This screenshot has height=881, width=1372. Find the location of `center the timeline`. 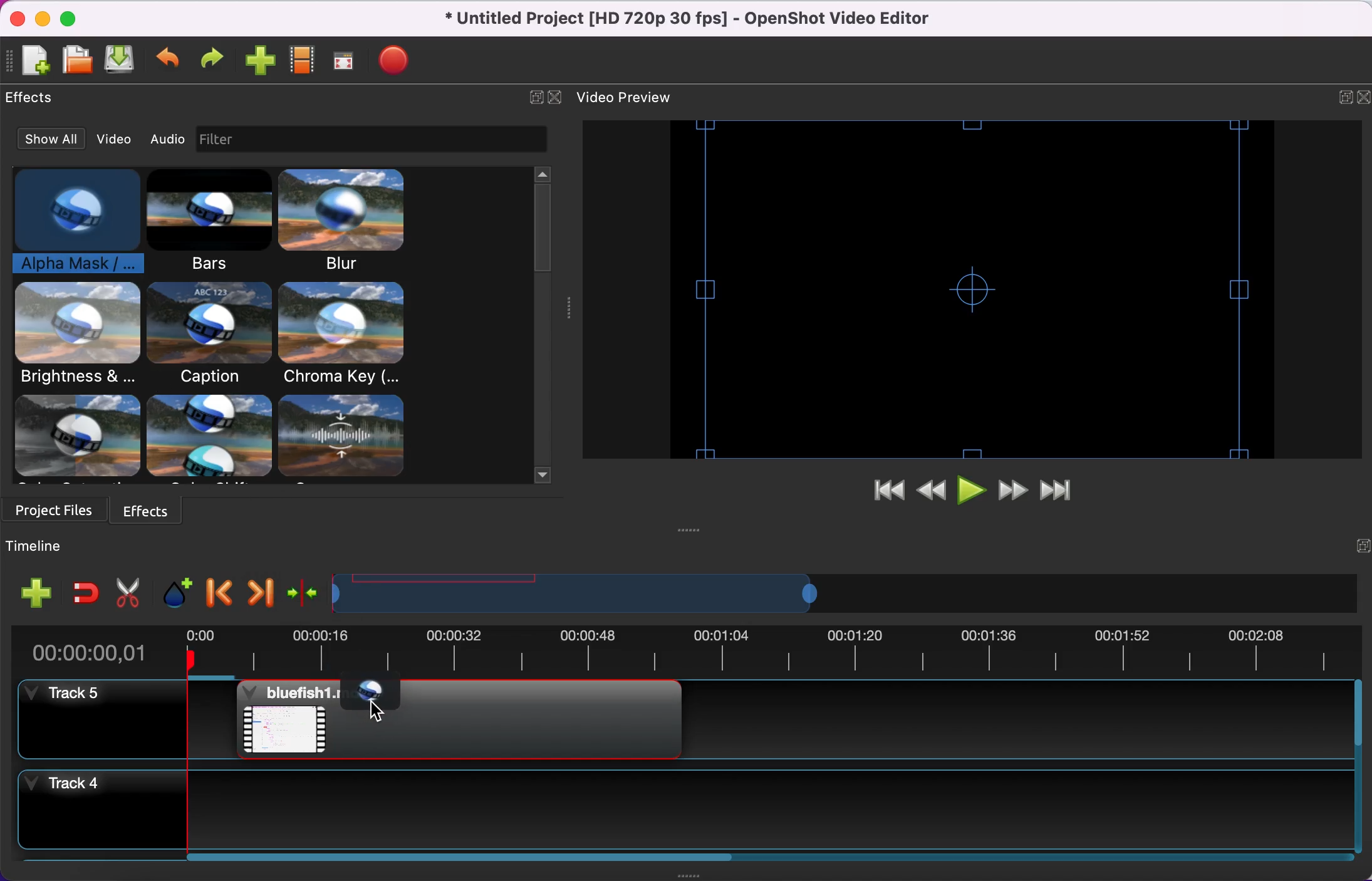

center the timeline is located at coordinates (301, 592).